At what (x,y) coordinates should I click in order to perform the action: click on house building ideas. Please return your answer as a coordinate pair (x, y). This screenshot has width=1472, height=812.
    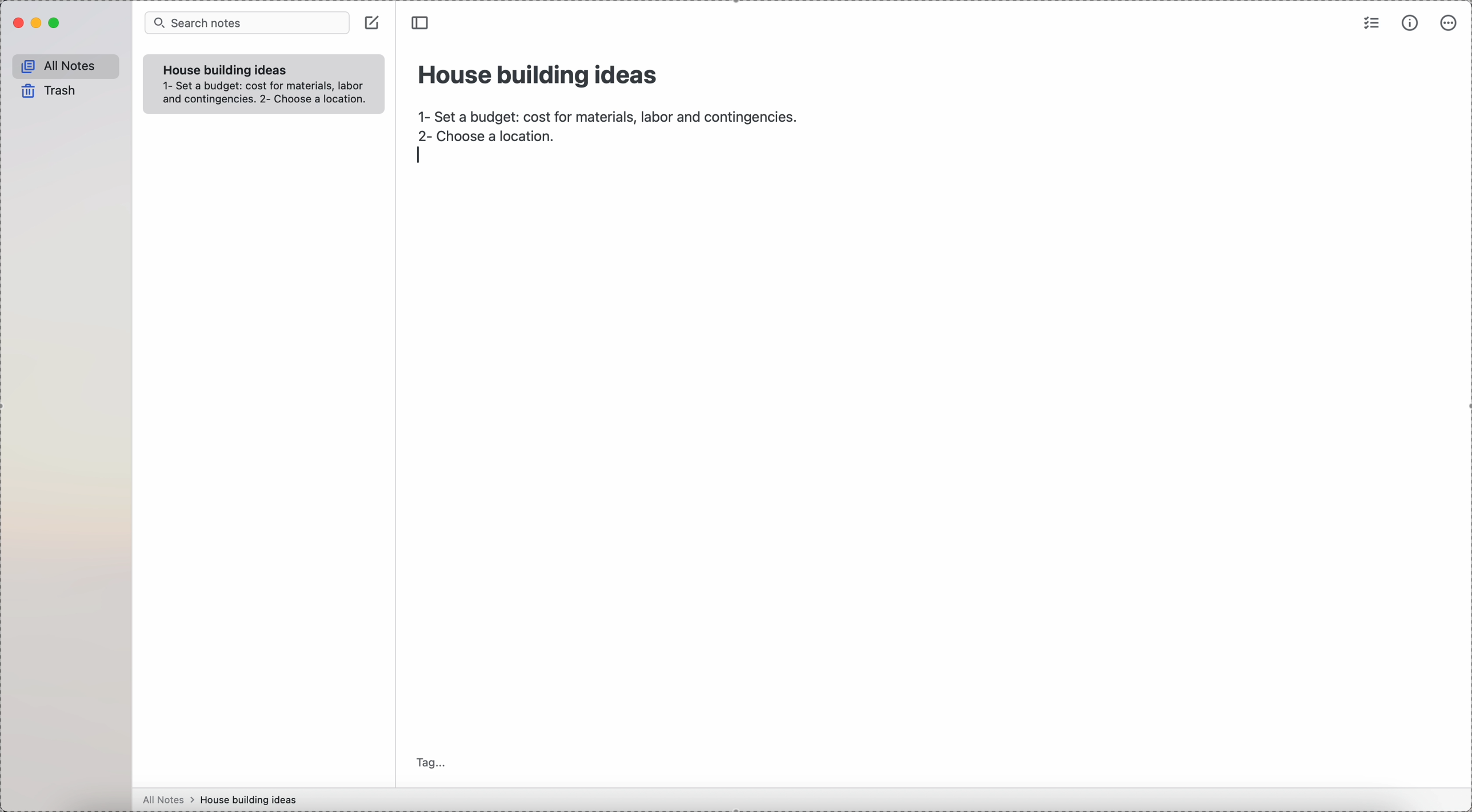
    Looking at the image, I should click on (539, 73).